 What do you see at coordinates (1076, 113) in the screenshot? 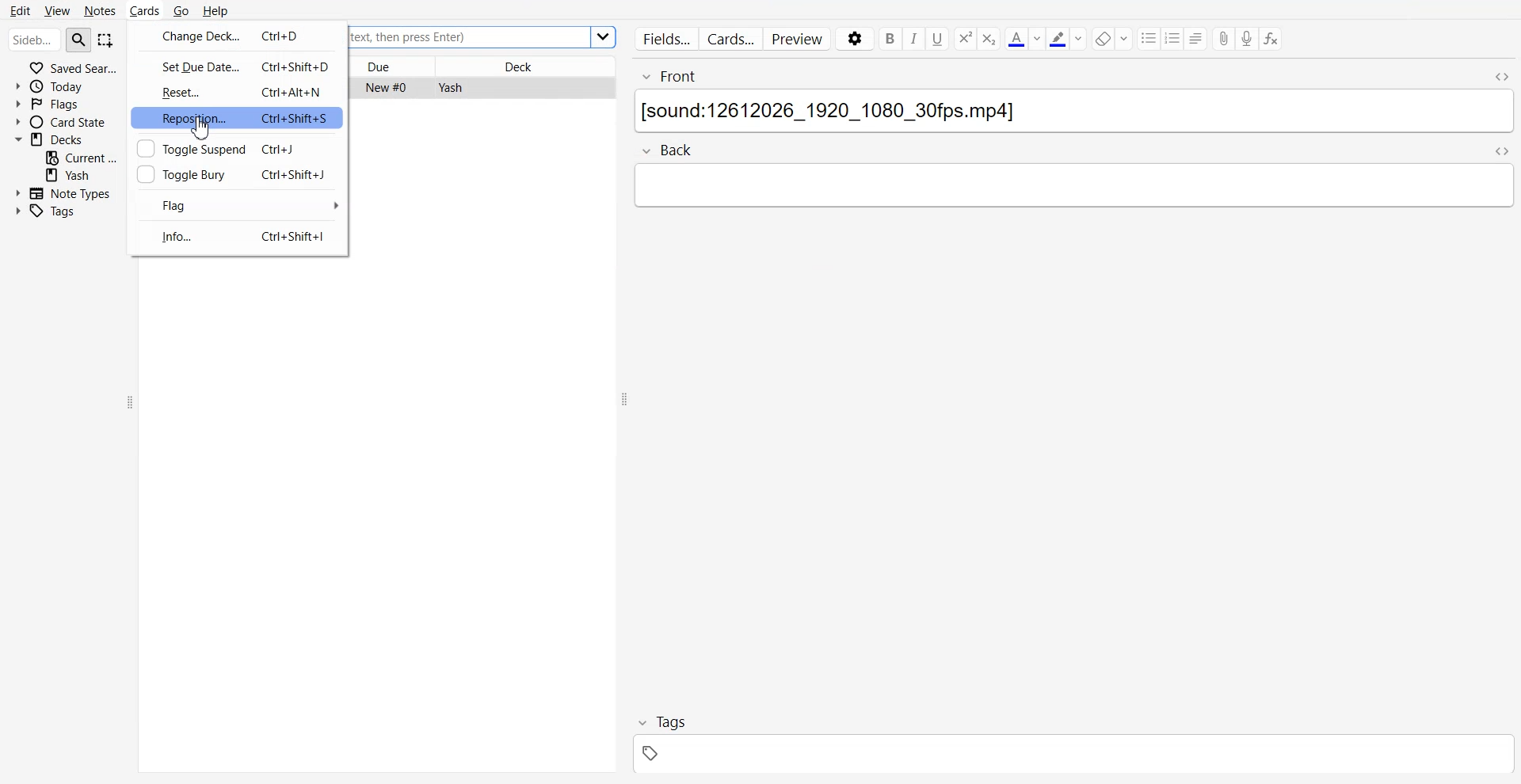
I see `Text` at bounding box center [1076, 113].